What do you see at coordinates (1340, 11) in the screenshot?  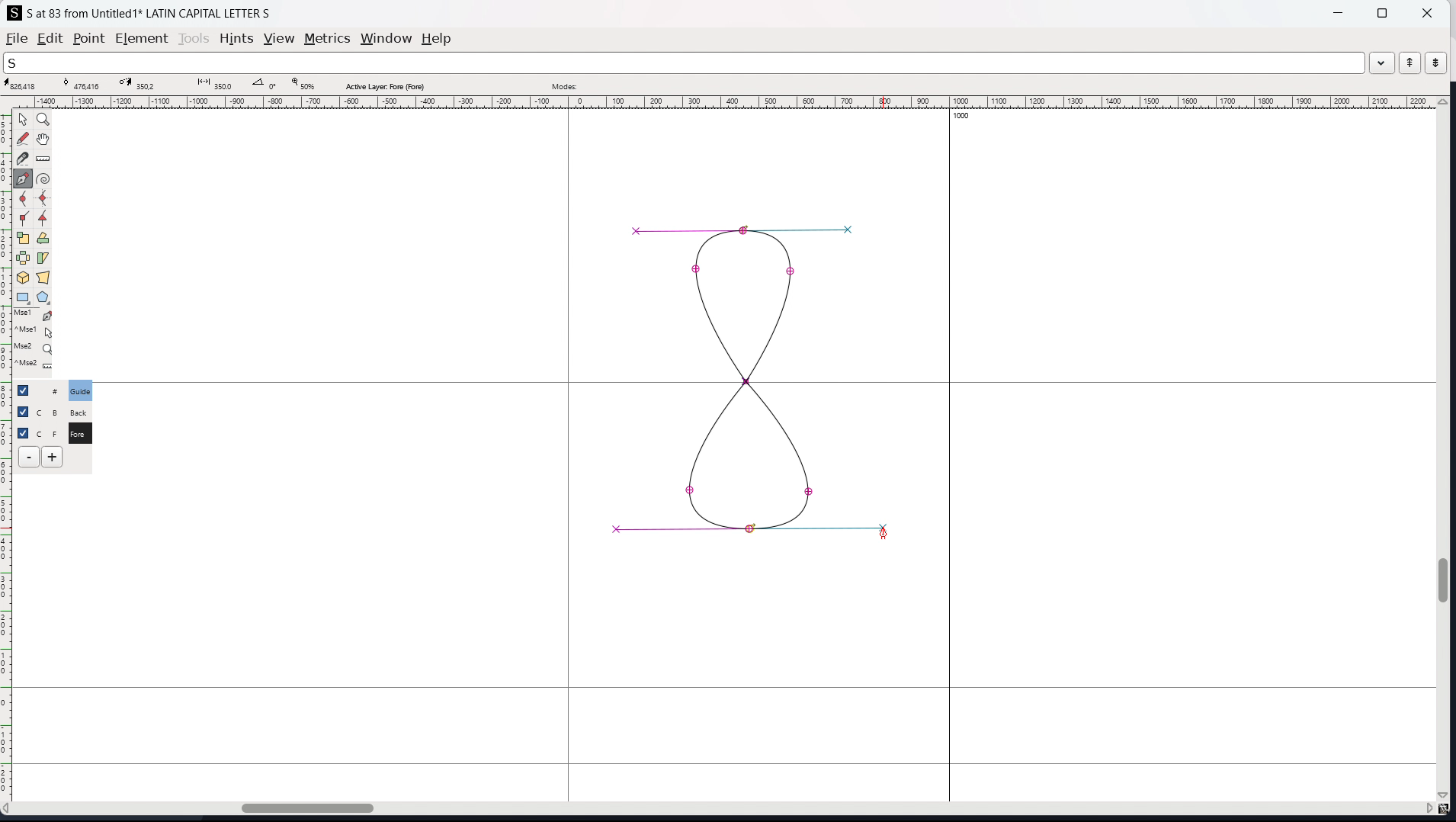 I see `minimize` at bounding box center [1340, 11].